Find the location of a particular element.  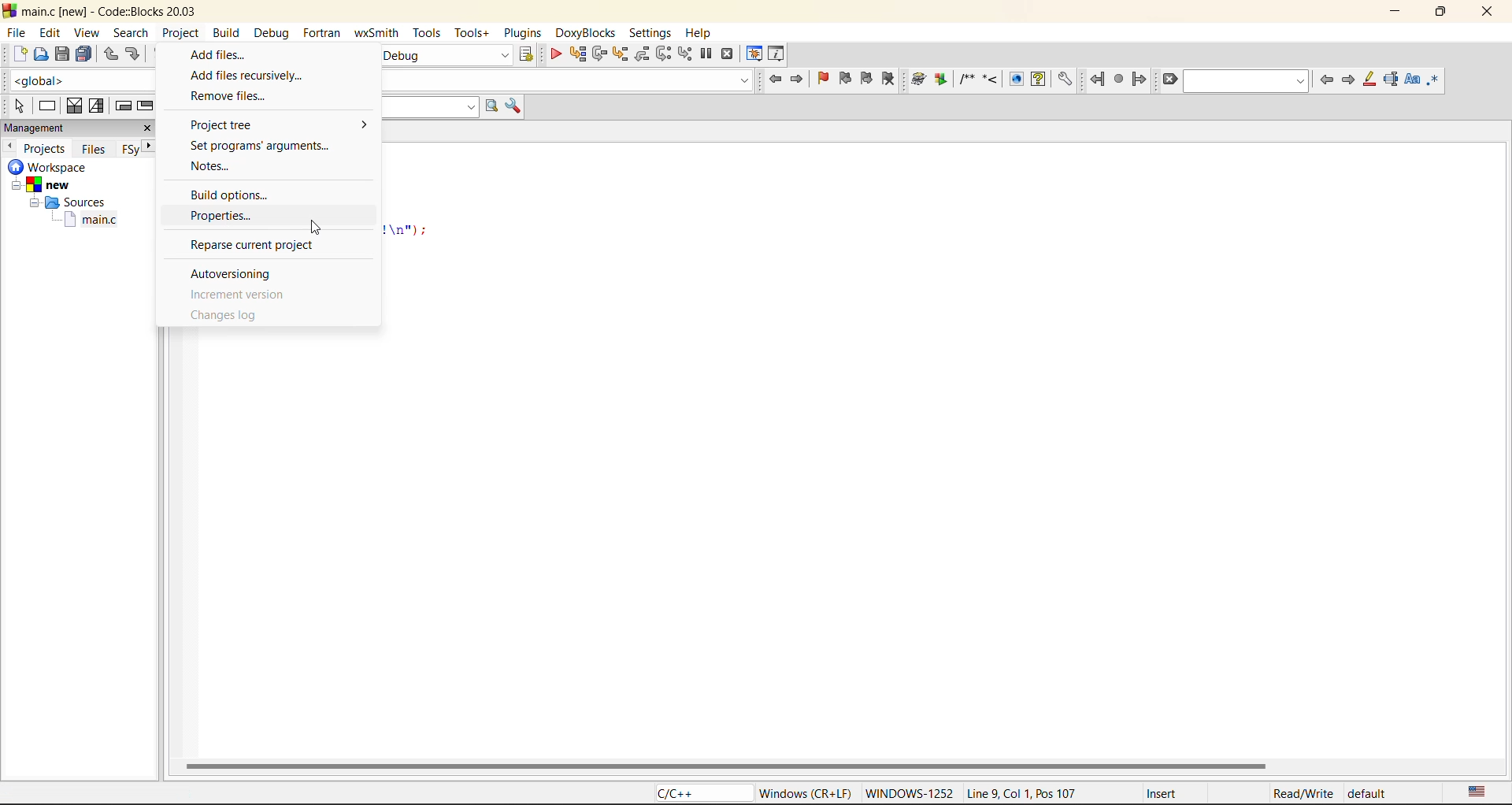

code completion search is located at coordinates (568, 79).